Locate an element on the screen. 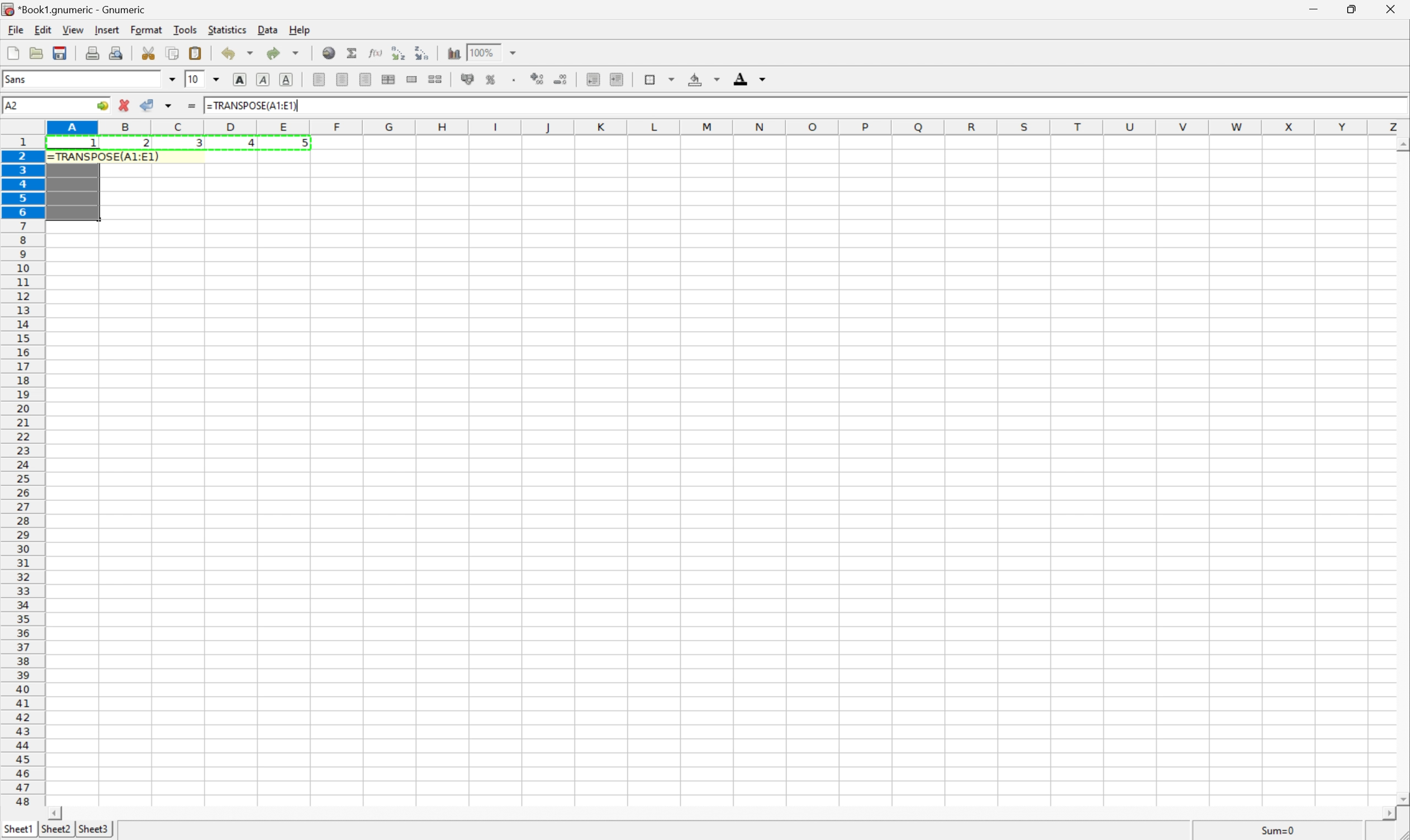  italic is located at coordinates (264, 79).